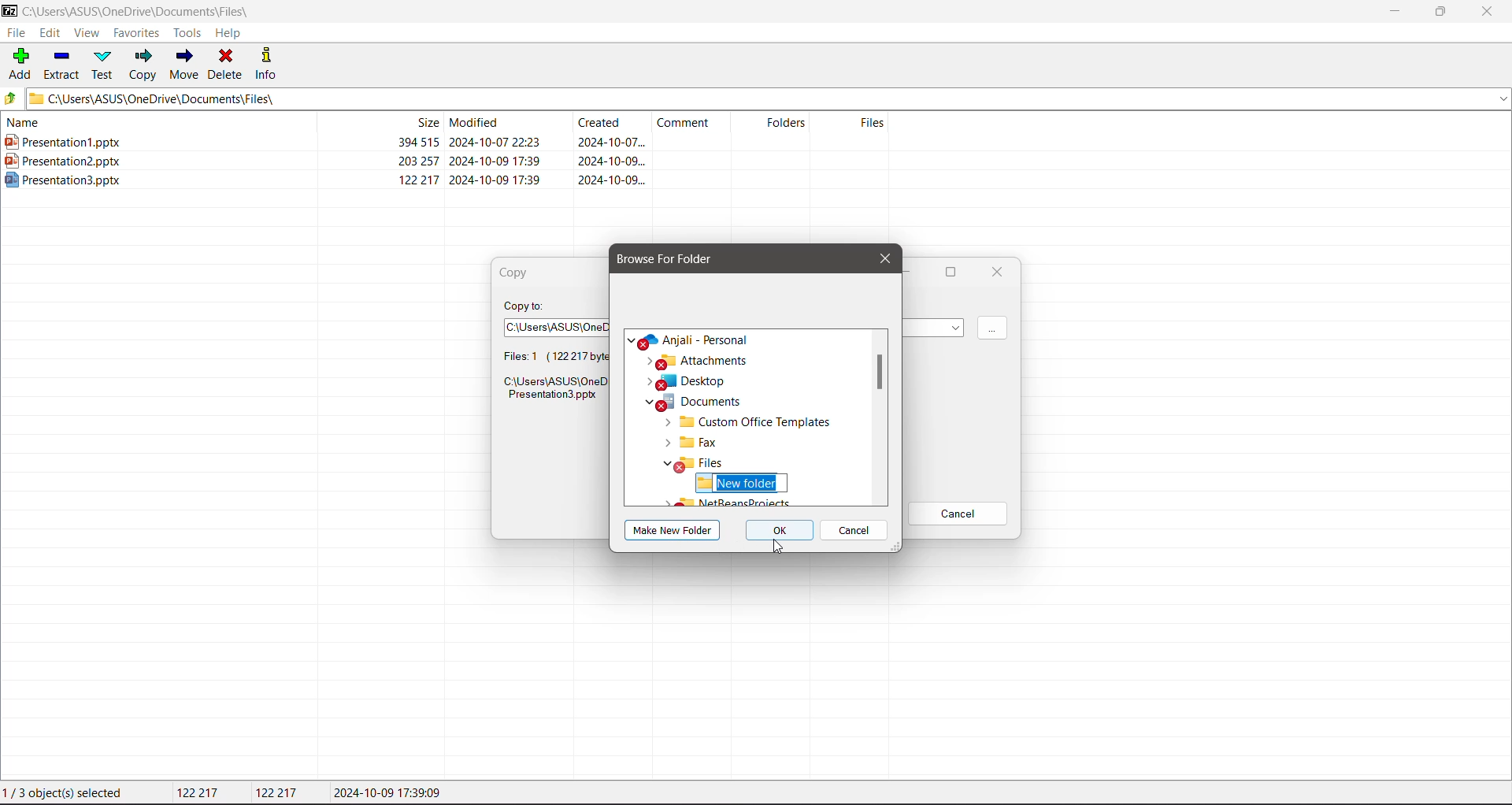  Describe the element at coordinates (186, 33) in the screenshot. I see `Tools` at that location.